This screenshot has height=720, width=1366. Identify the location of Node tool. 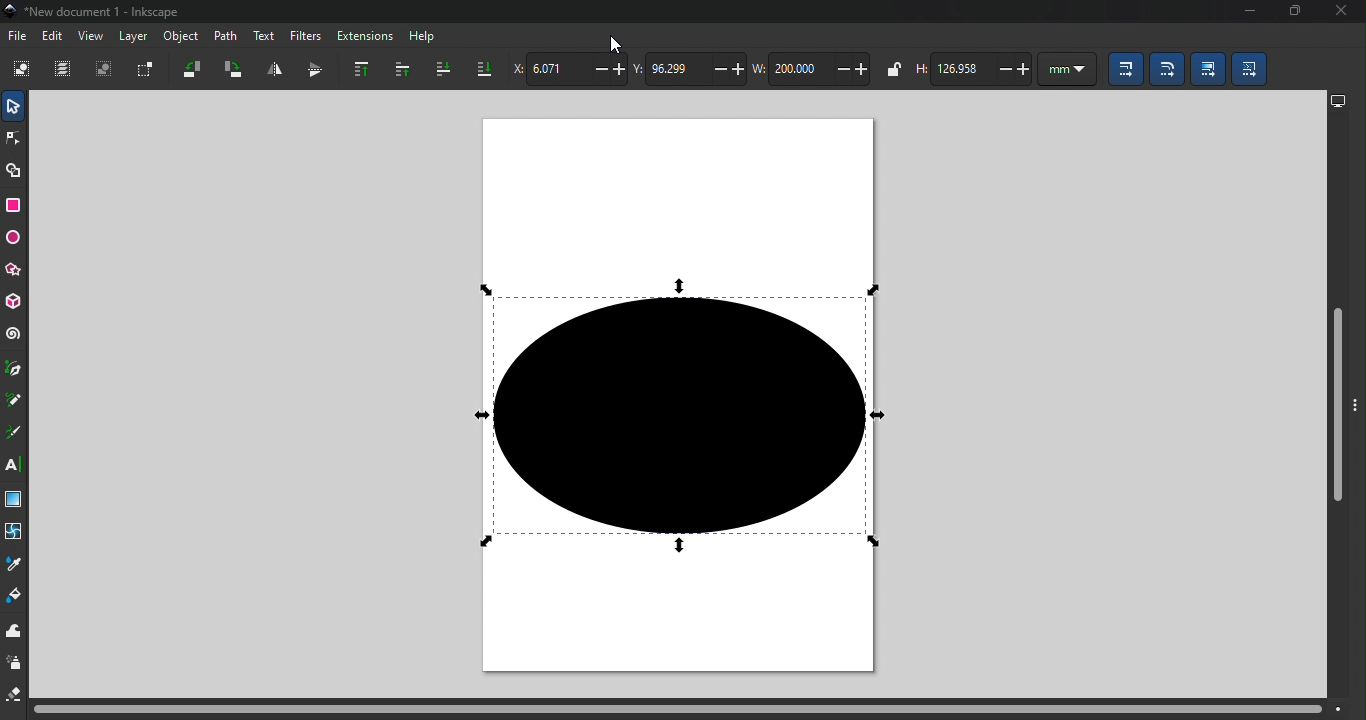
(16, 139).